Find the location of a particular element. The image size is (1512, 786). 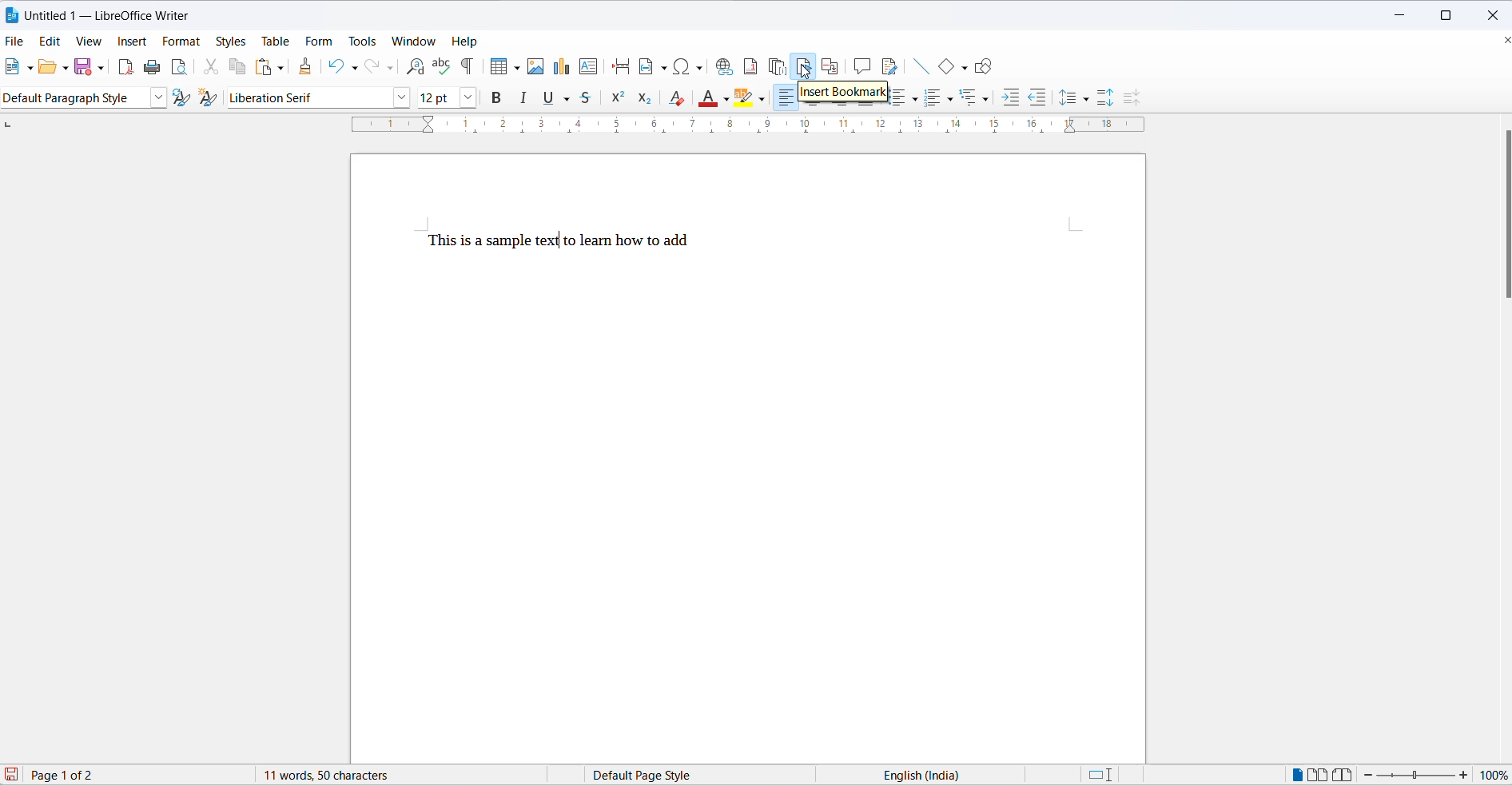

add charts is located at coordinates (561, 69).